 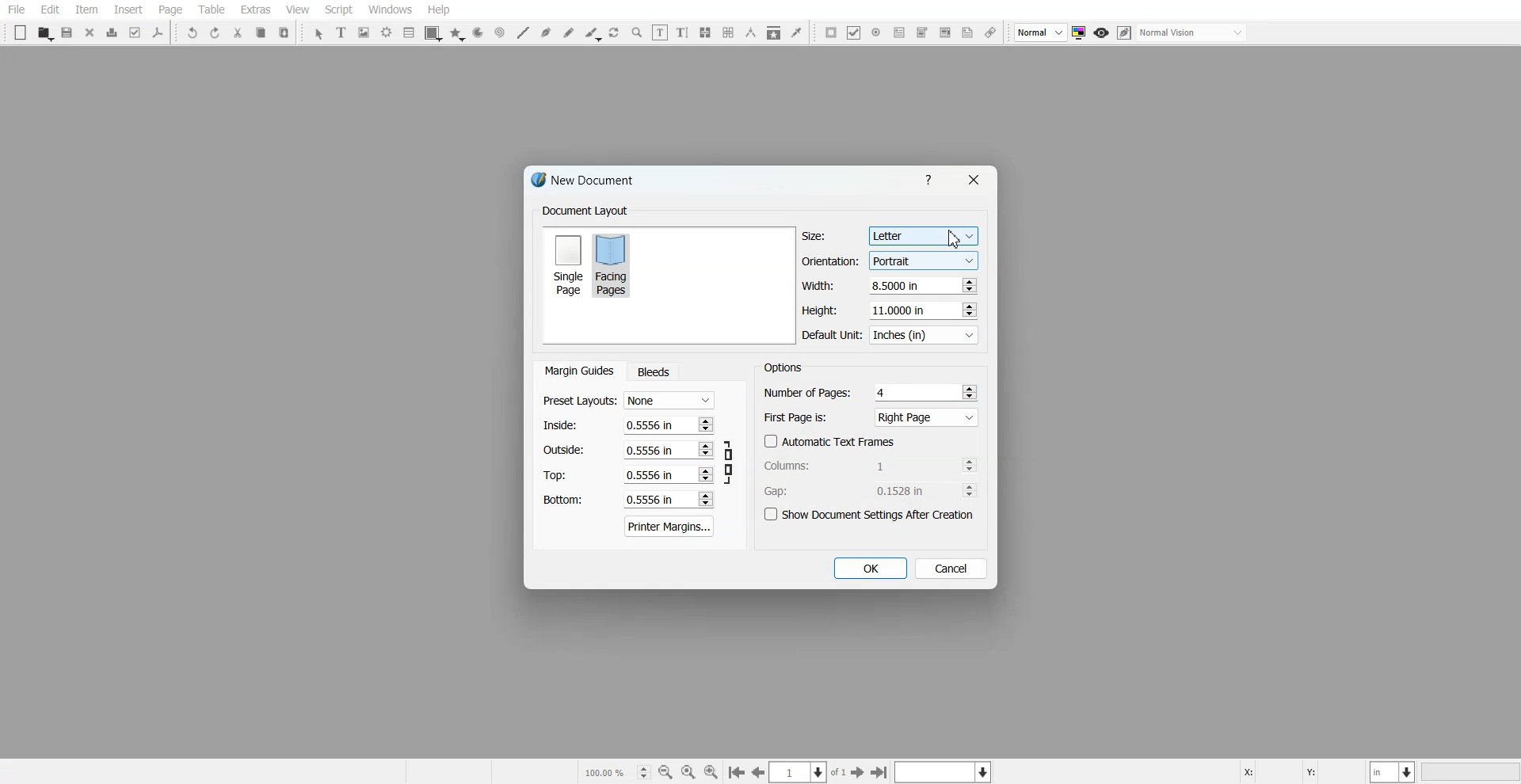 I want to click on Page, so click(x=170, y=10).